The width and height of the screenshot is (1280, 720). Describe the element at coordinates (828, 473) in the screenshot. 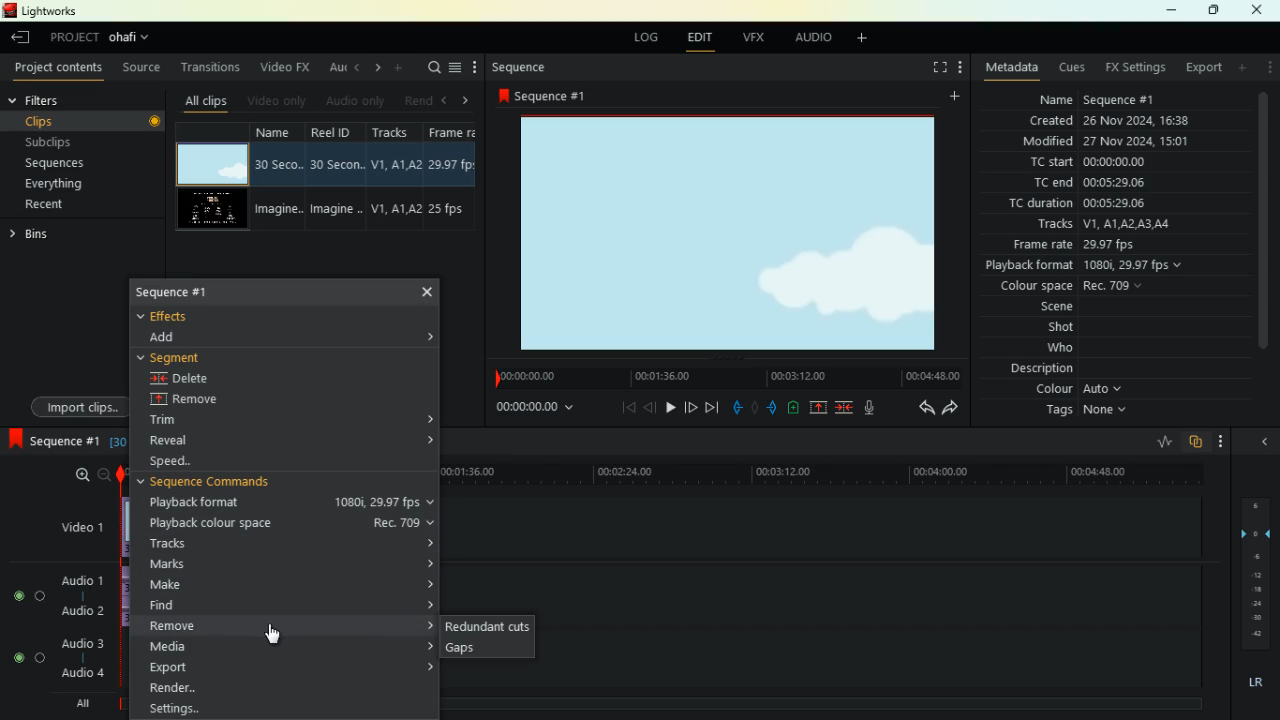

I see `timeline` at that location.